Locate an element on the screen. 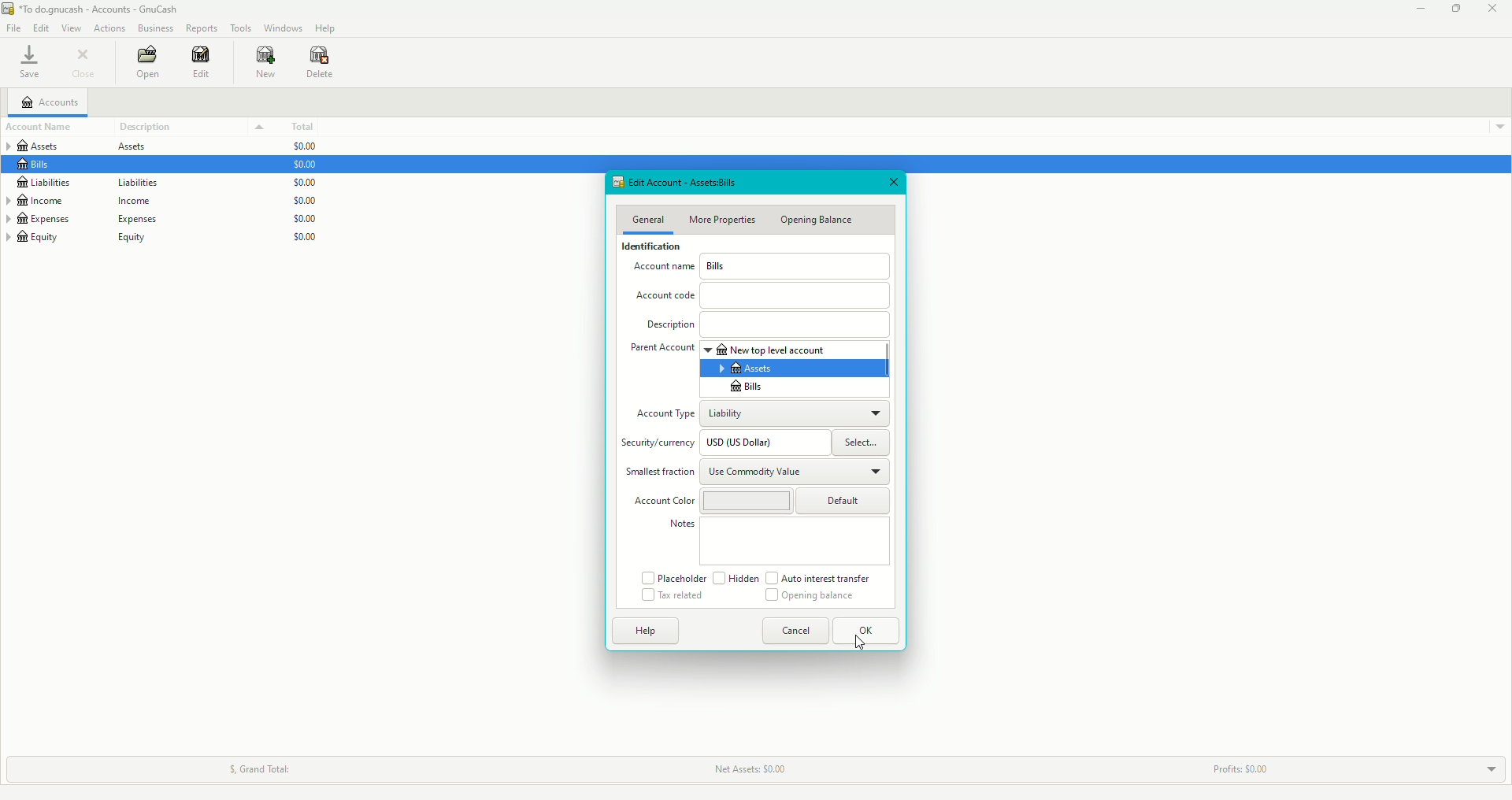 The width and height of the screenshot is (1512, 800). GnuCash is located at coordinates (97, 10).